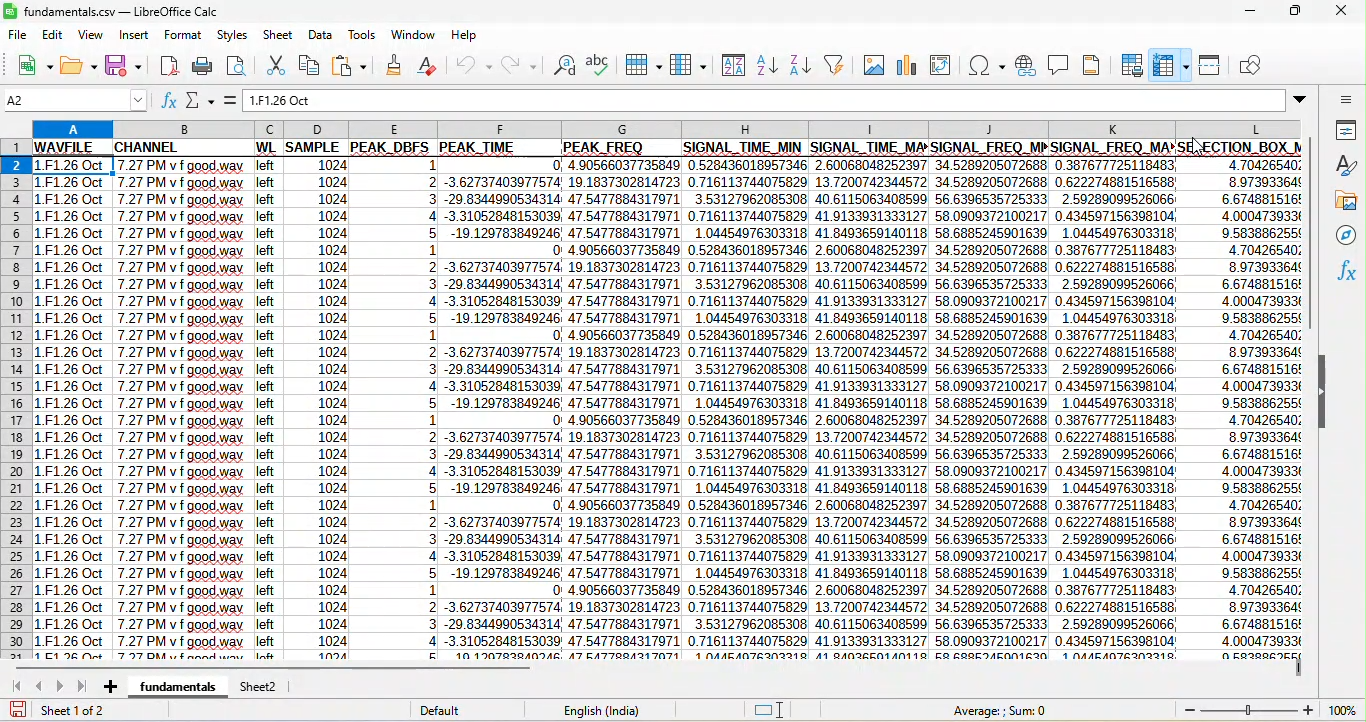 This screenshot has width=1366, height=722. I want to click on , so click(280, 665).